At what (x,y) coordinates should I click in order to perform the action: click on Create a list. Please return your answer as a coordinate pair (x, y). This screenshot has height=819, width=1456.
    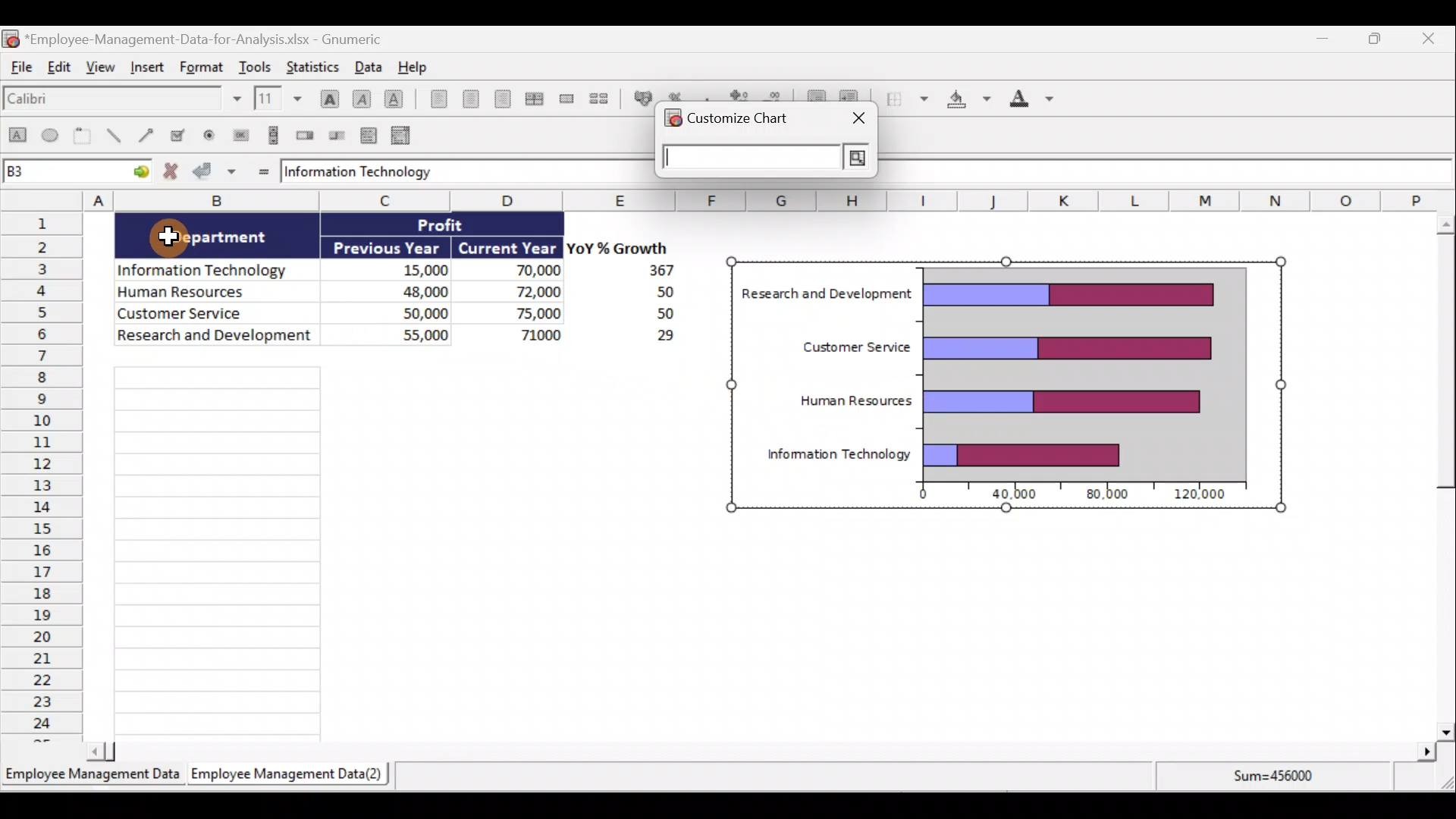
    Looking at the image, I should click on (367, 137).